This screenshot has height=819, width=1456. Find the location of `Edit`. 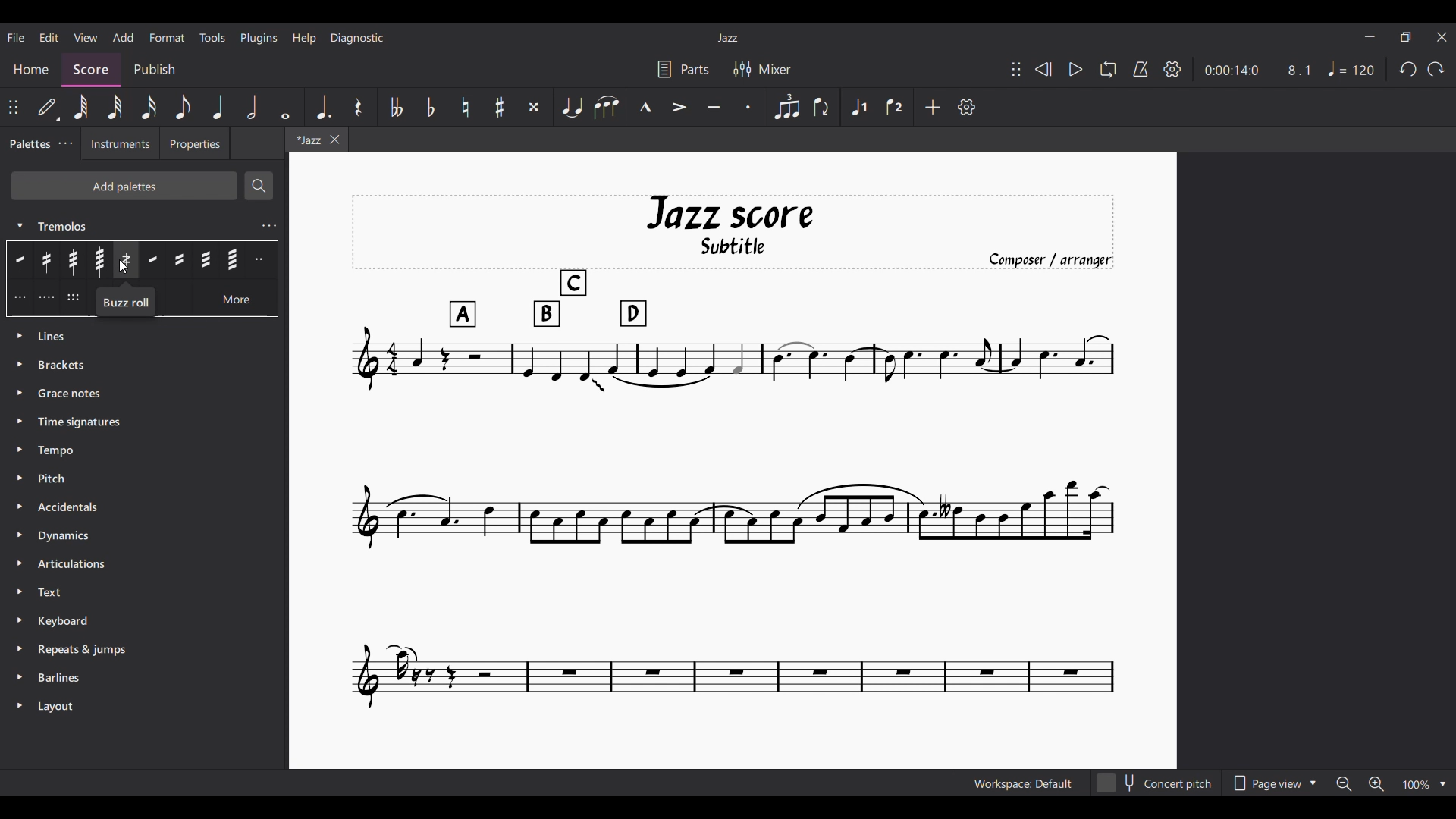

Edit is located at coordinates (49, 37).